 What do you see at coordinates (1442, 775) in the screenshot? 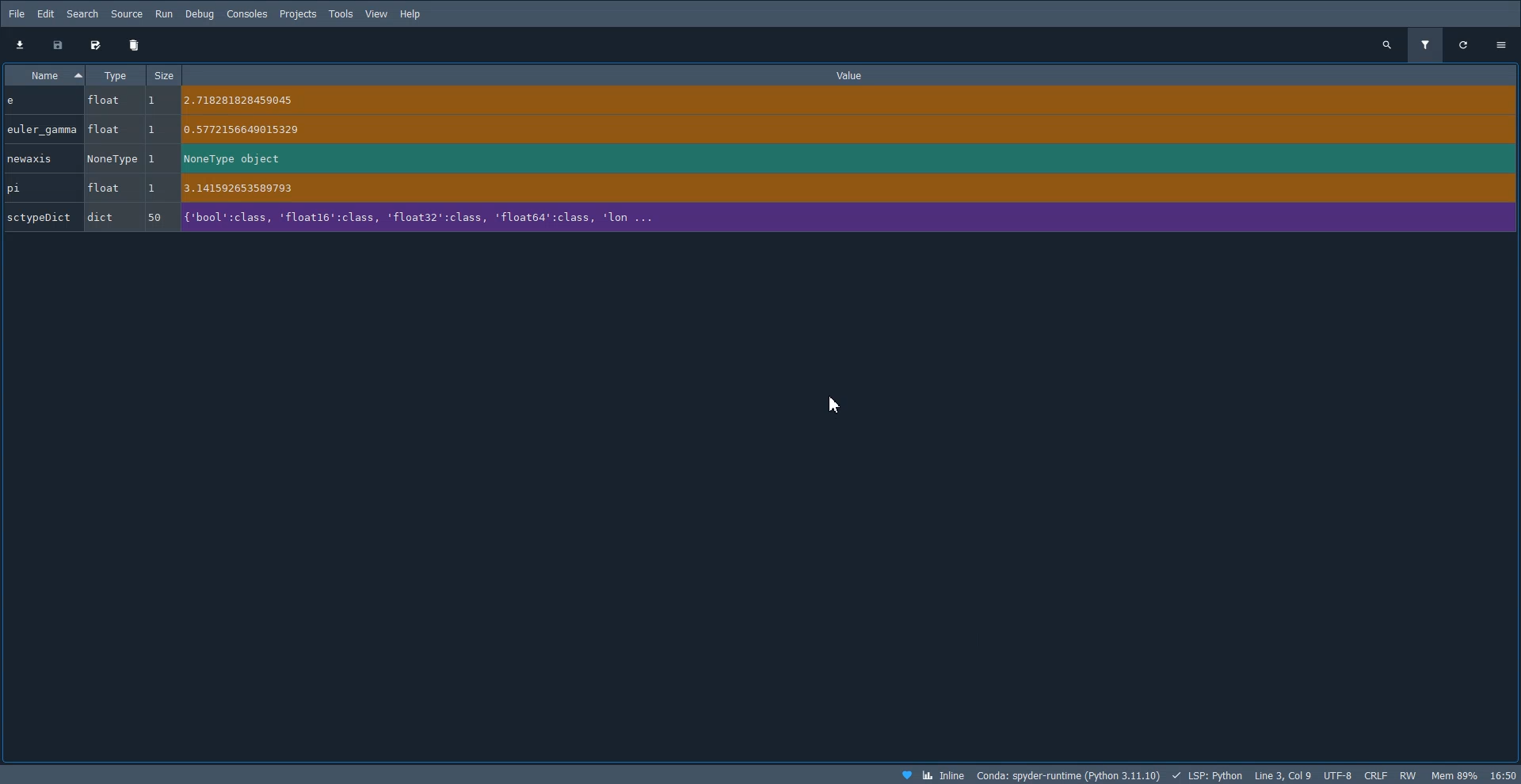
I see `Software information` at bounding box center [1442, 775].